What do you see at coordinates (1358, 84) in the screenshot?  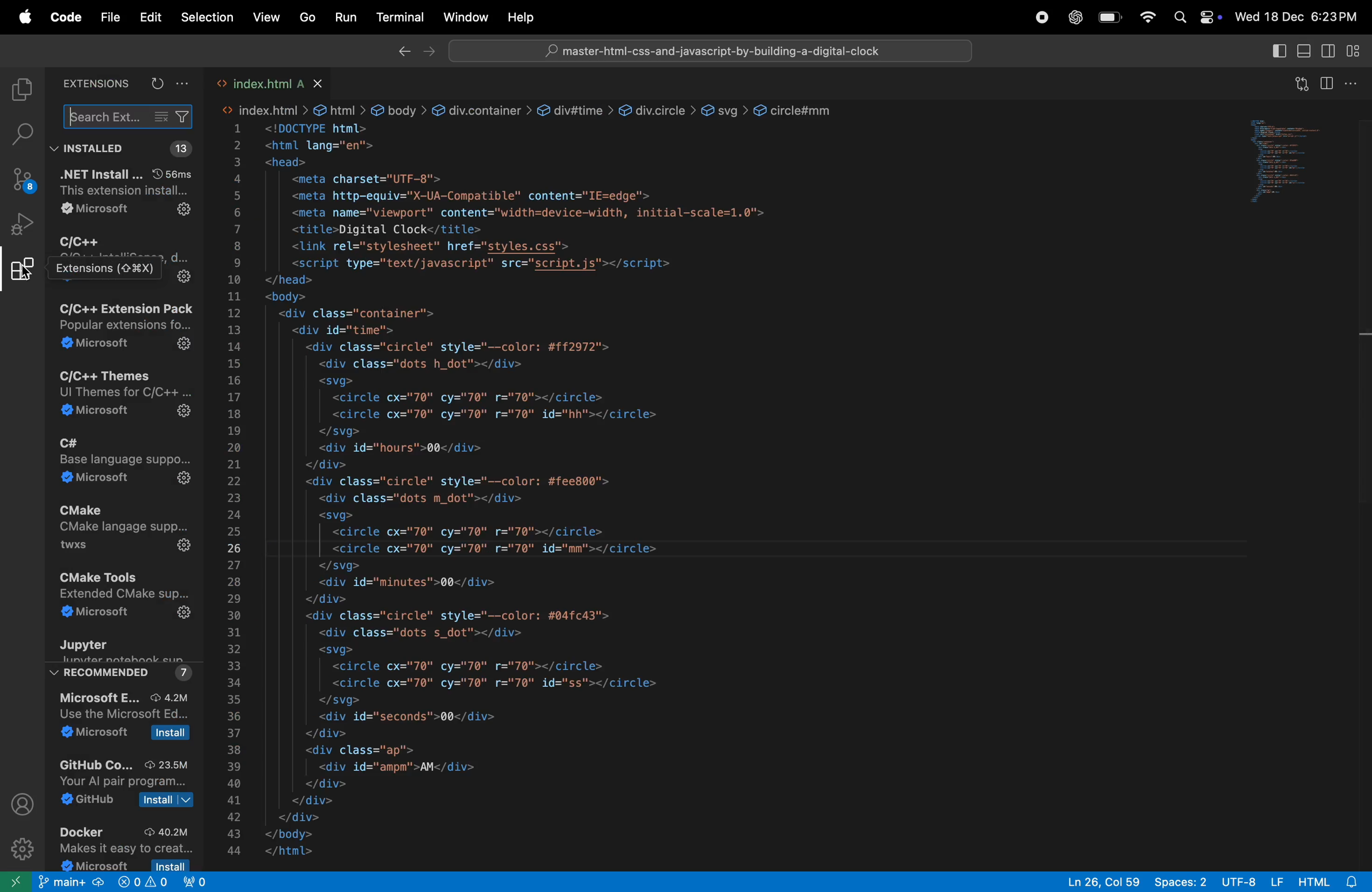 I see `options` at bounding box center [1358, 84].